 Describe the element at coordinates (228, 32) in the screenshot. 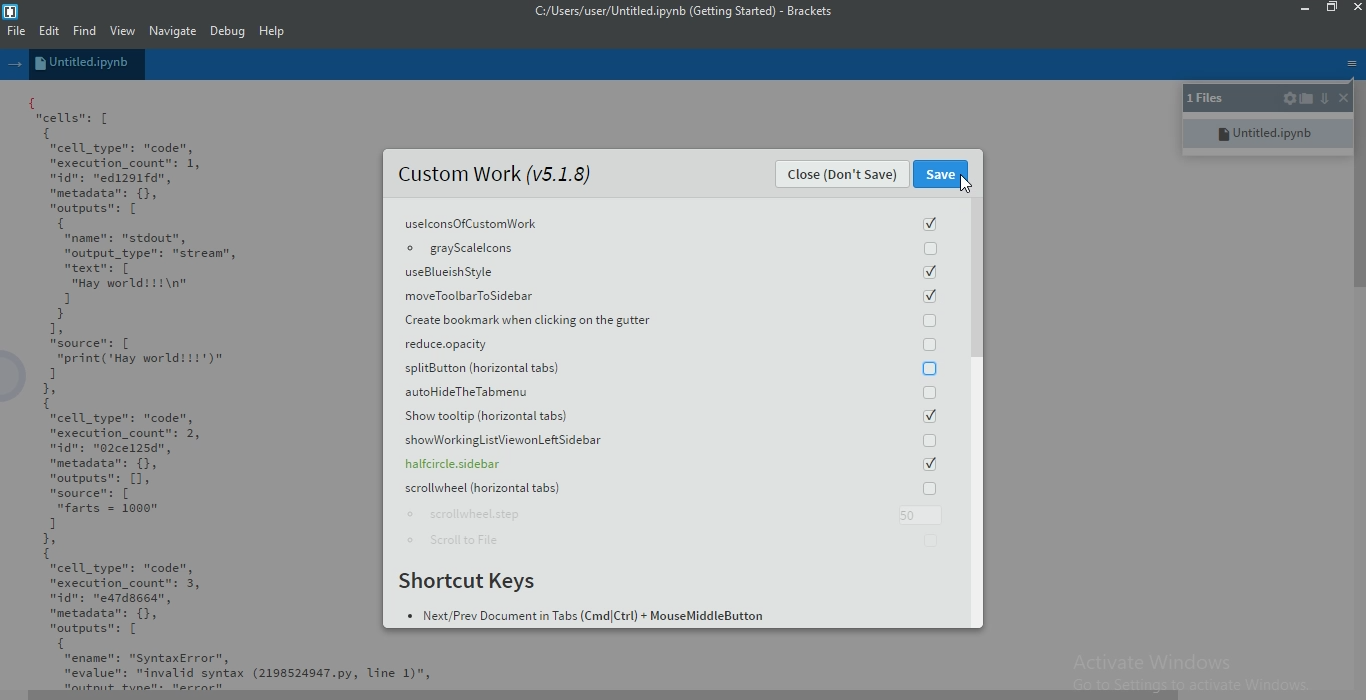

I see `Debug` at that location.